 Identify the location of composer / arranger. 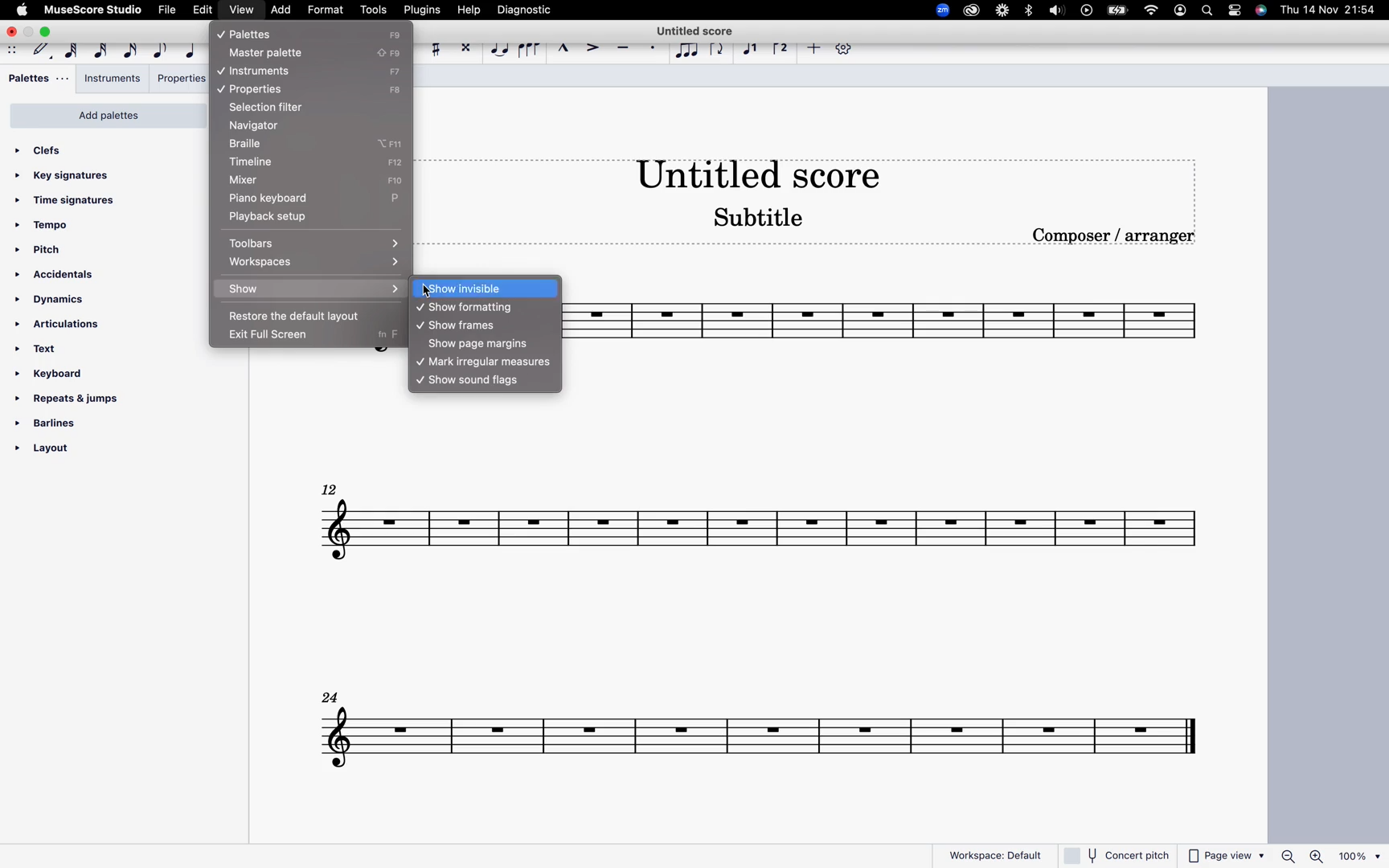
(1119, 237).